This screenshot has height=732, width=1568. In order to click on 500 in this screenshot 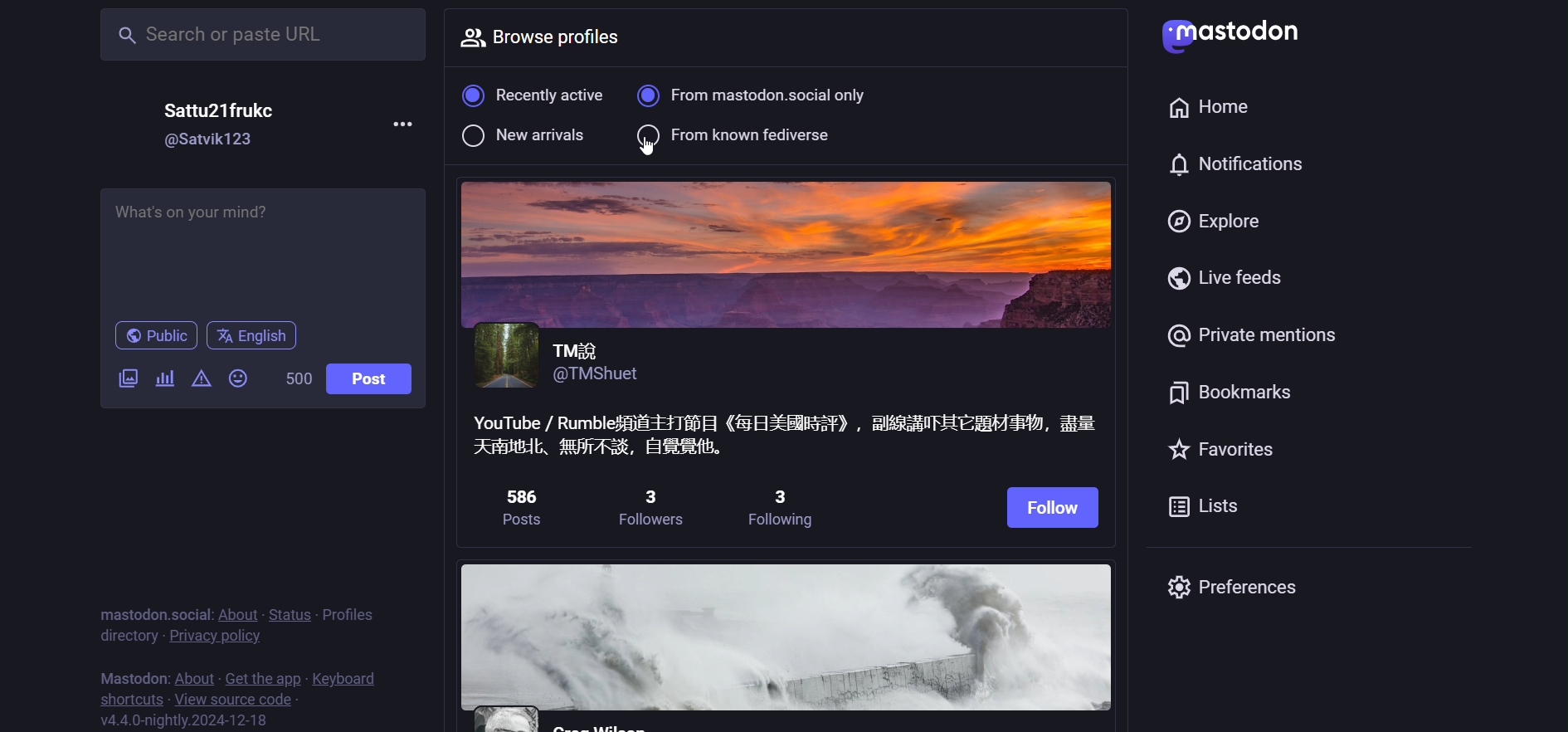, I will do `click(288, 377)`.